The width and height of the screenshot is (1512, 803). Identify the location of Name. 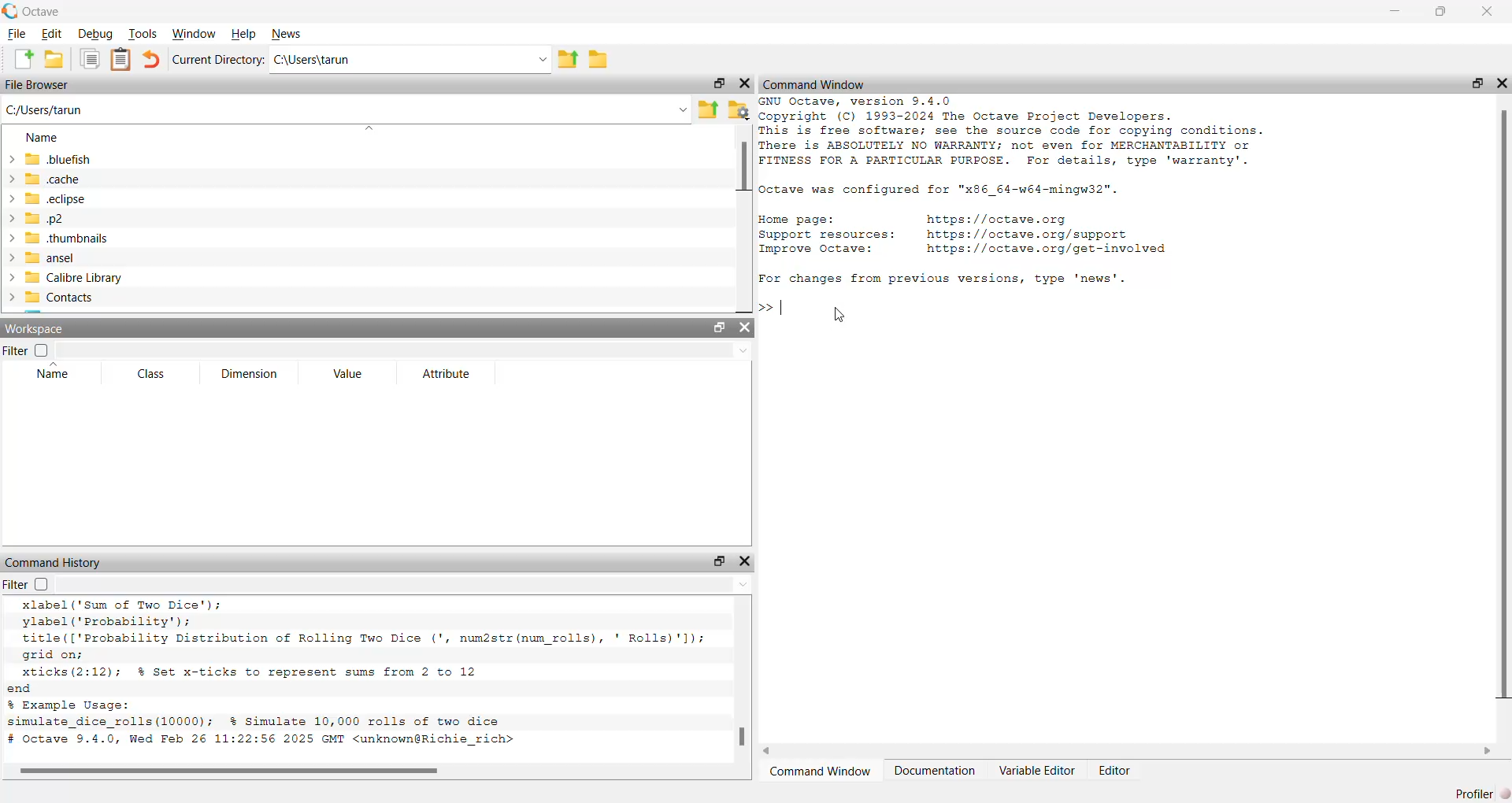
(39, 139).